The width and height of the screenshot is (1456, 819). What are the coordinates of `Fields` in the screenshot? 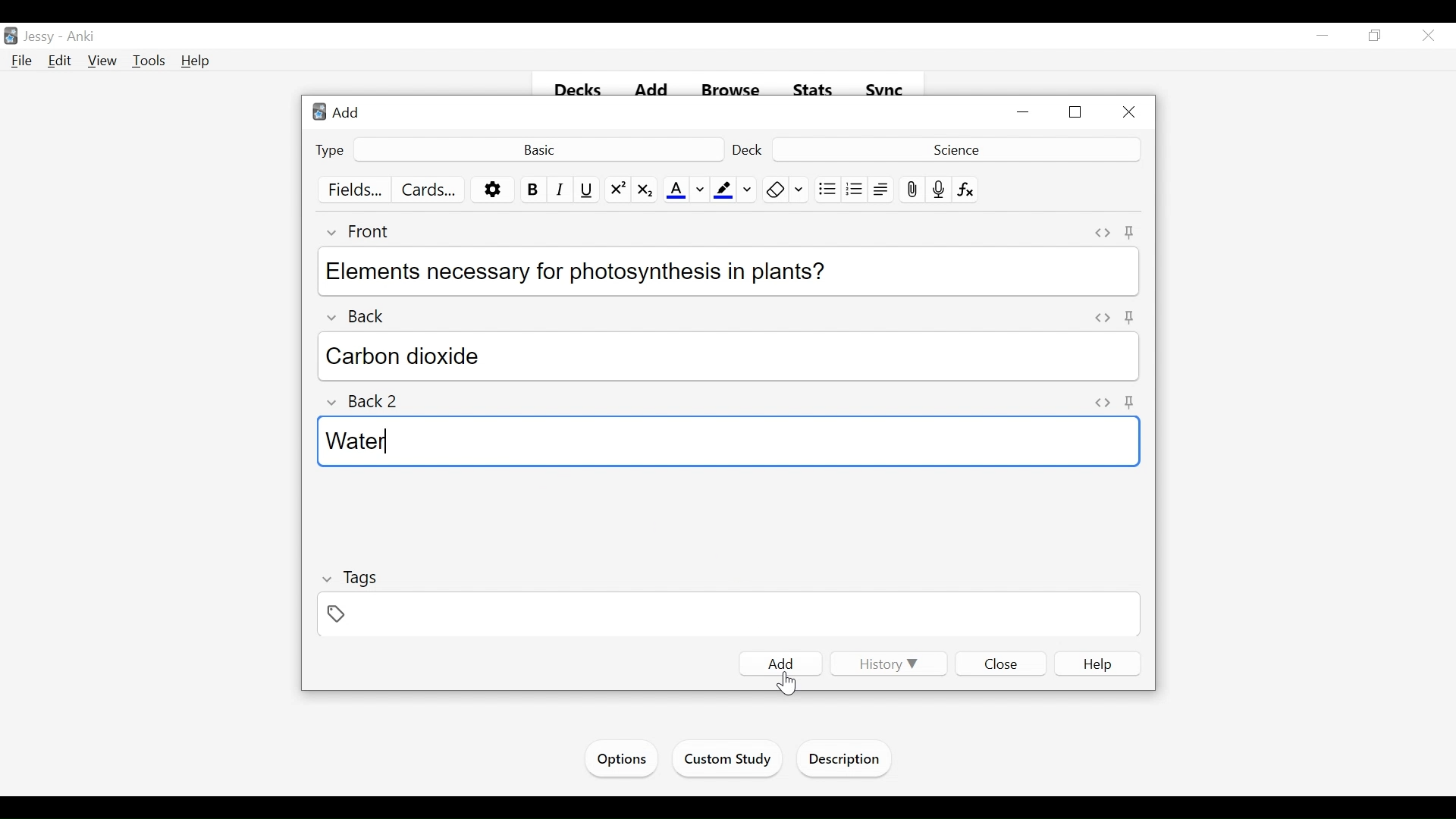 It's located at (356, 190).